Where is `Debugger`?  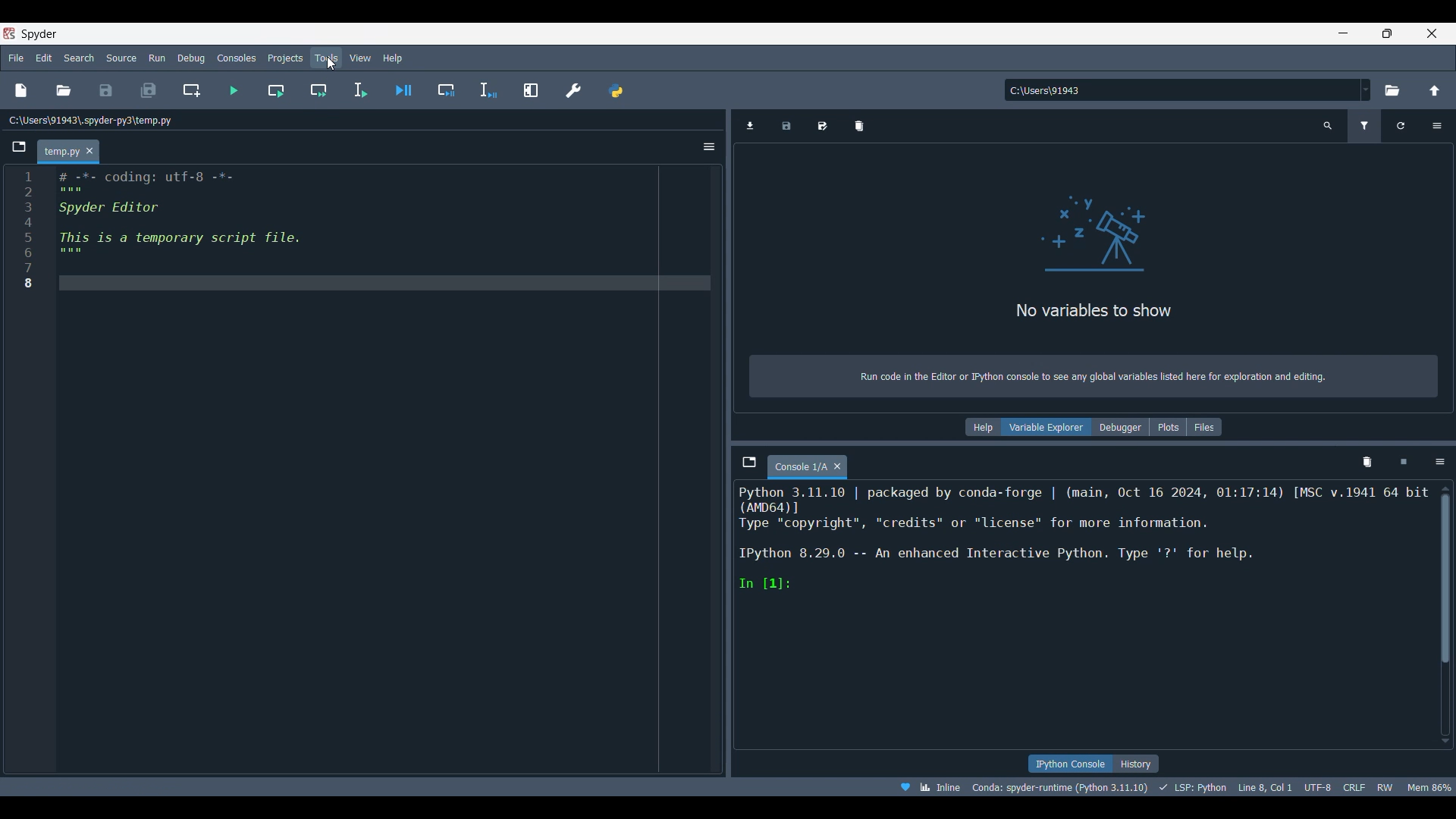 Debugger is located at coordinates (1120, 427).